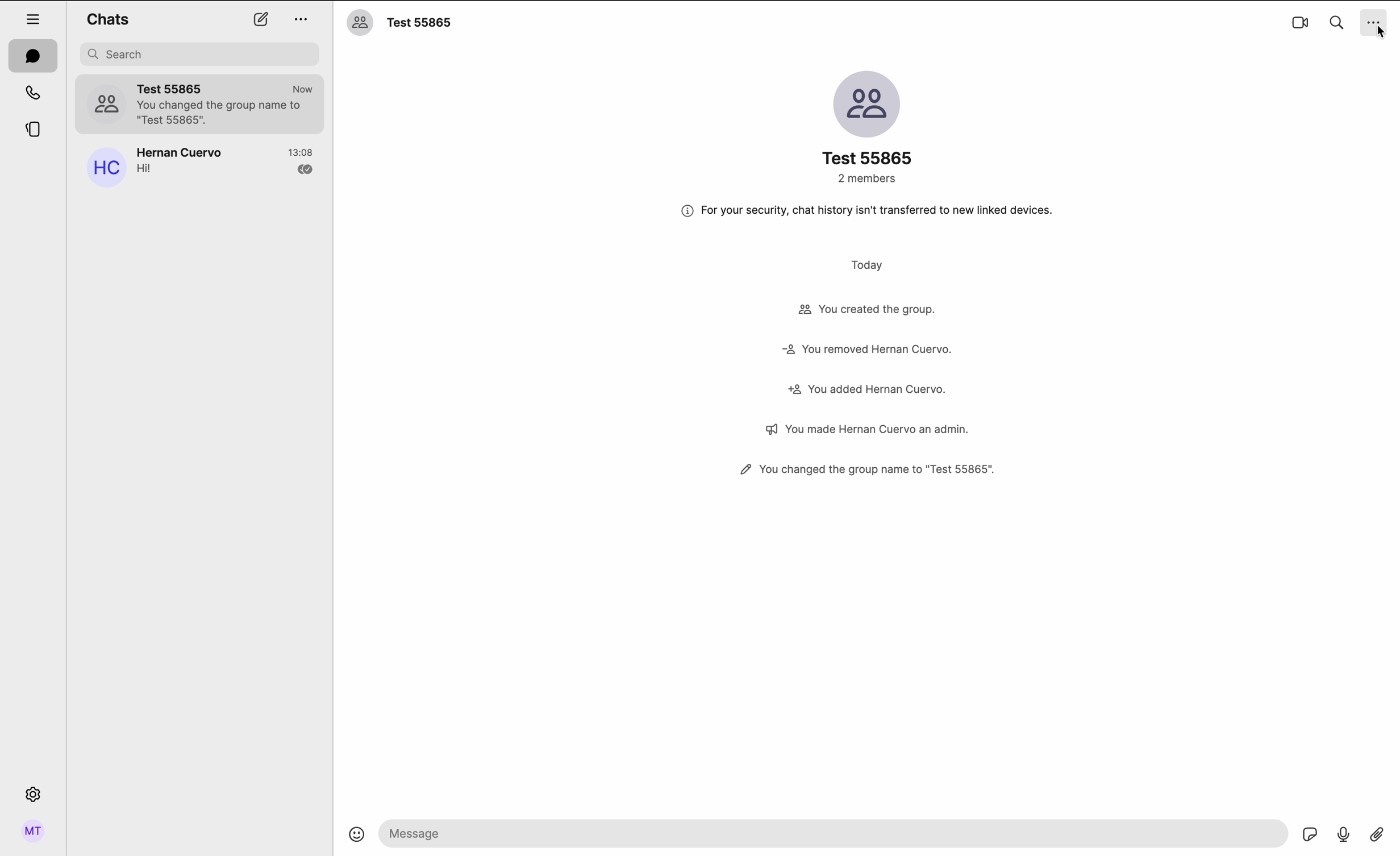 The height and width of the screenshot is (856, 1400). Describe the element at coordinates (35, 130) in the screenshot. I see `threads` at that location.